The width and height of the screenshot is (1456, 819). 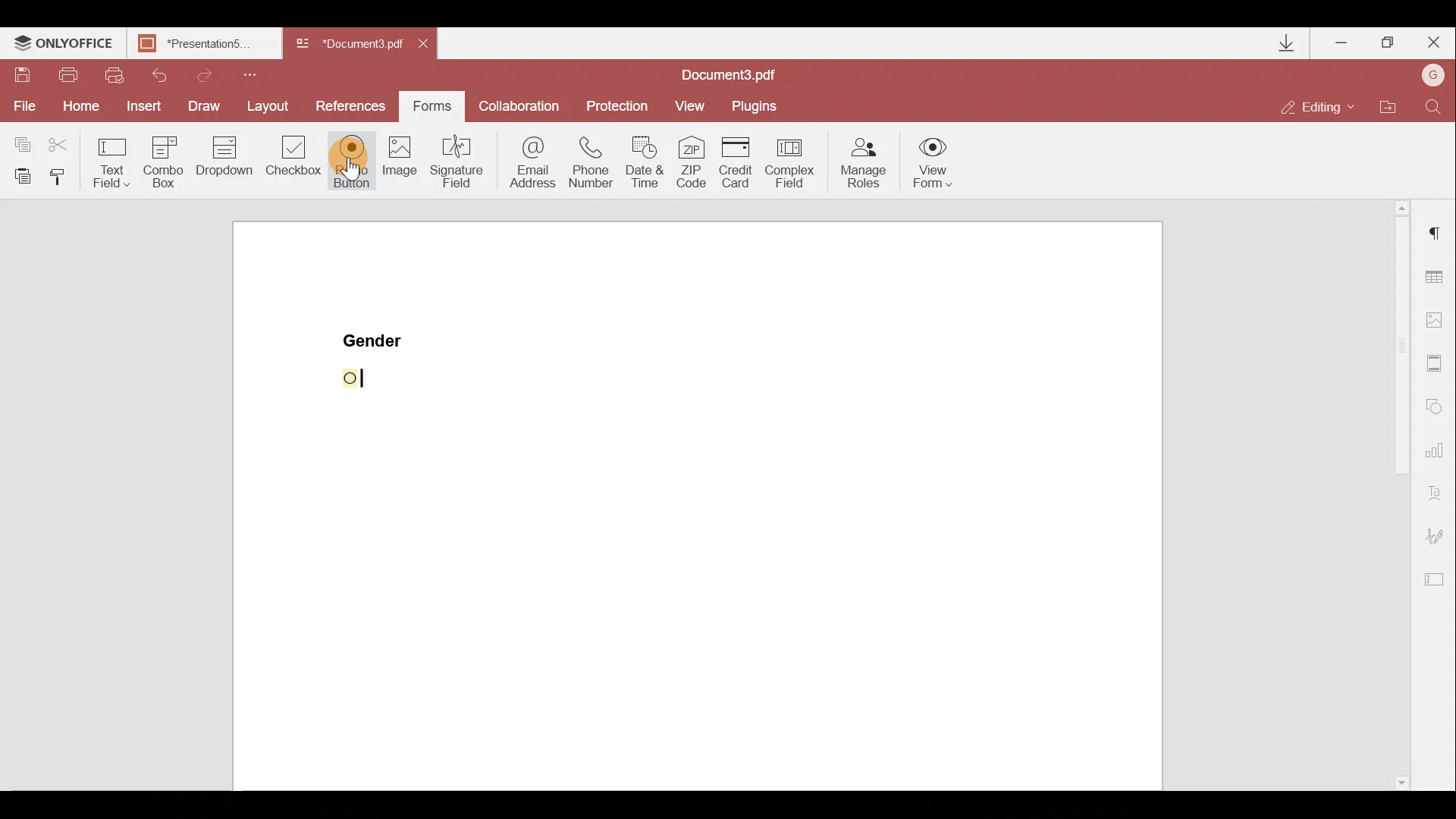 What do you see at coordinates (1434, 240) in the screenshot?
I see `Paragraph settings` at bounding box center [1434, 240].